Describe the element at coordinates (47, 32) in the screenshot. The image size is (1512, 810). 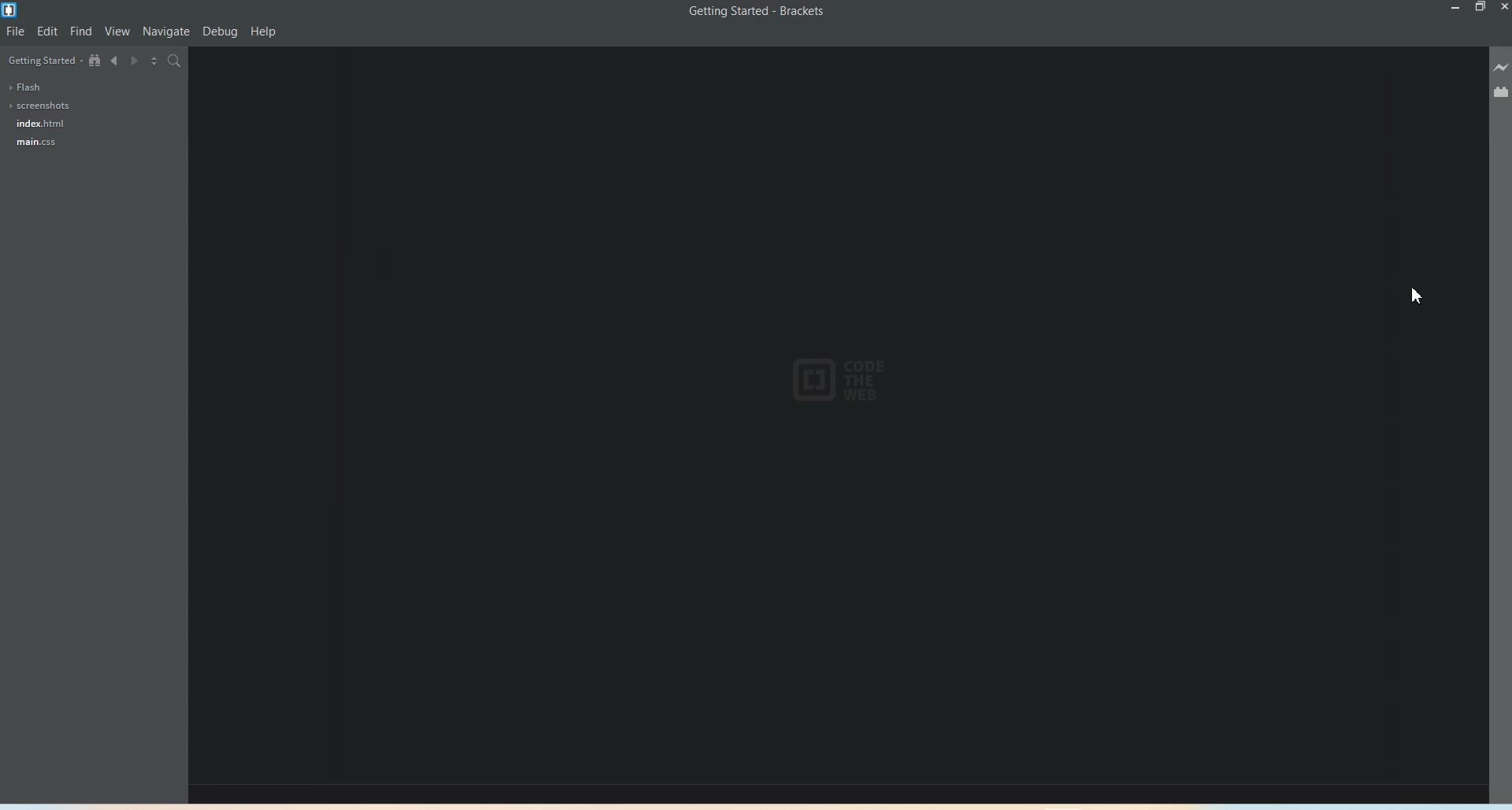
I see `Edit` at that location.